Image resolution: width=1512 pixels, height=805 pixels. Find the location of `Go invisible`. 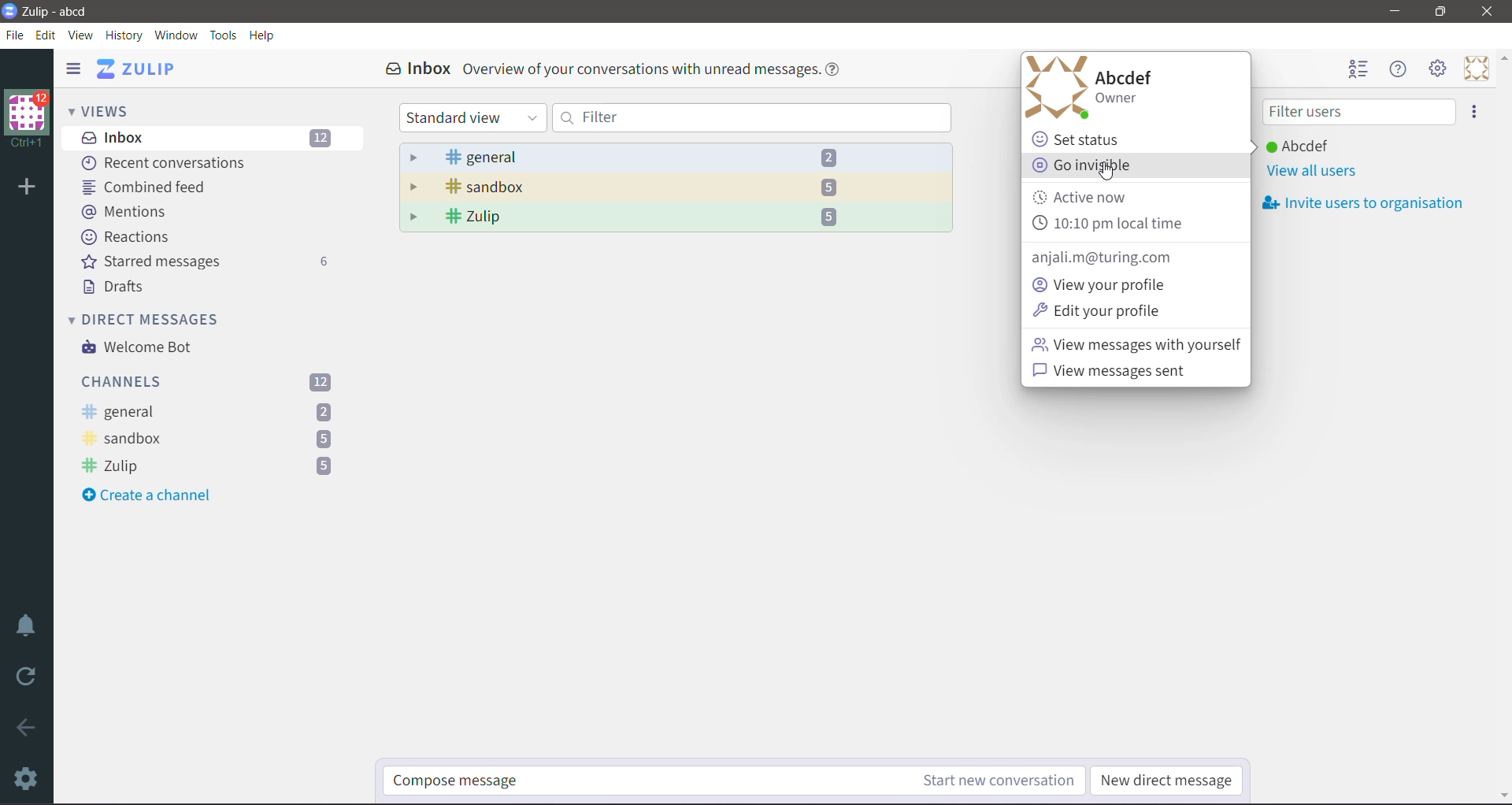

Go invisible is located at coordinates (1136, 165).